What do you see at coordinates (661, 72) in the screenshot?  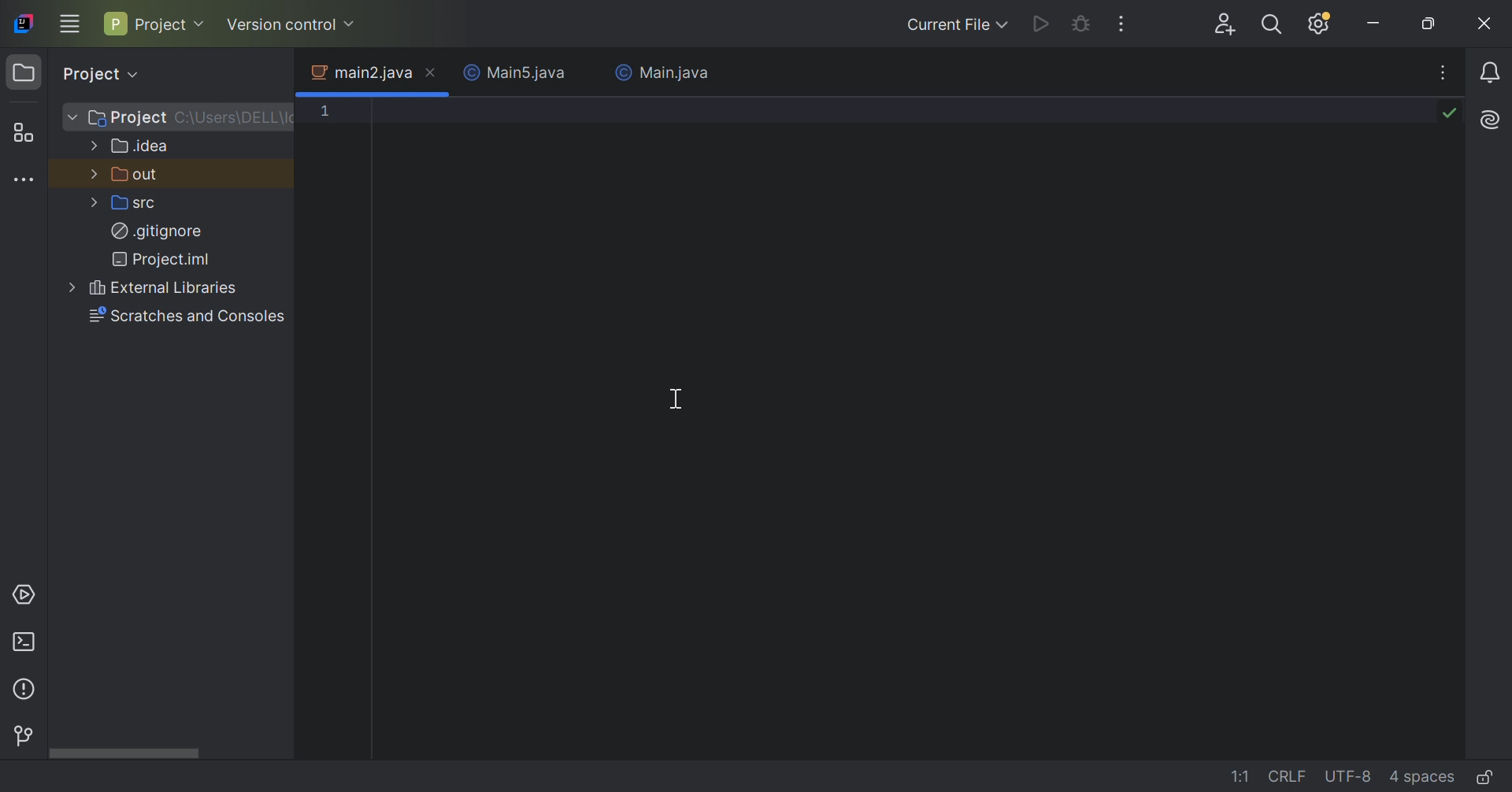 I see `Main.java` at bounding box center [661, 72].